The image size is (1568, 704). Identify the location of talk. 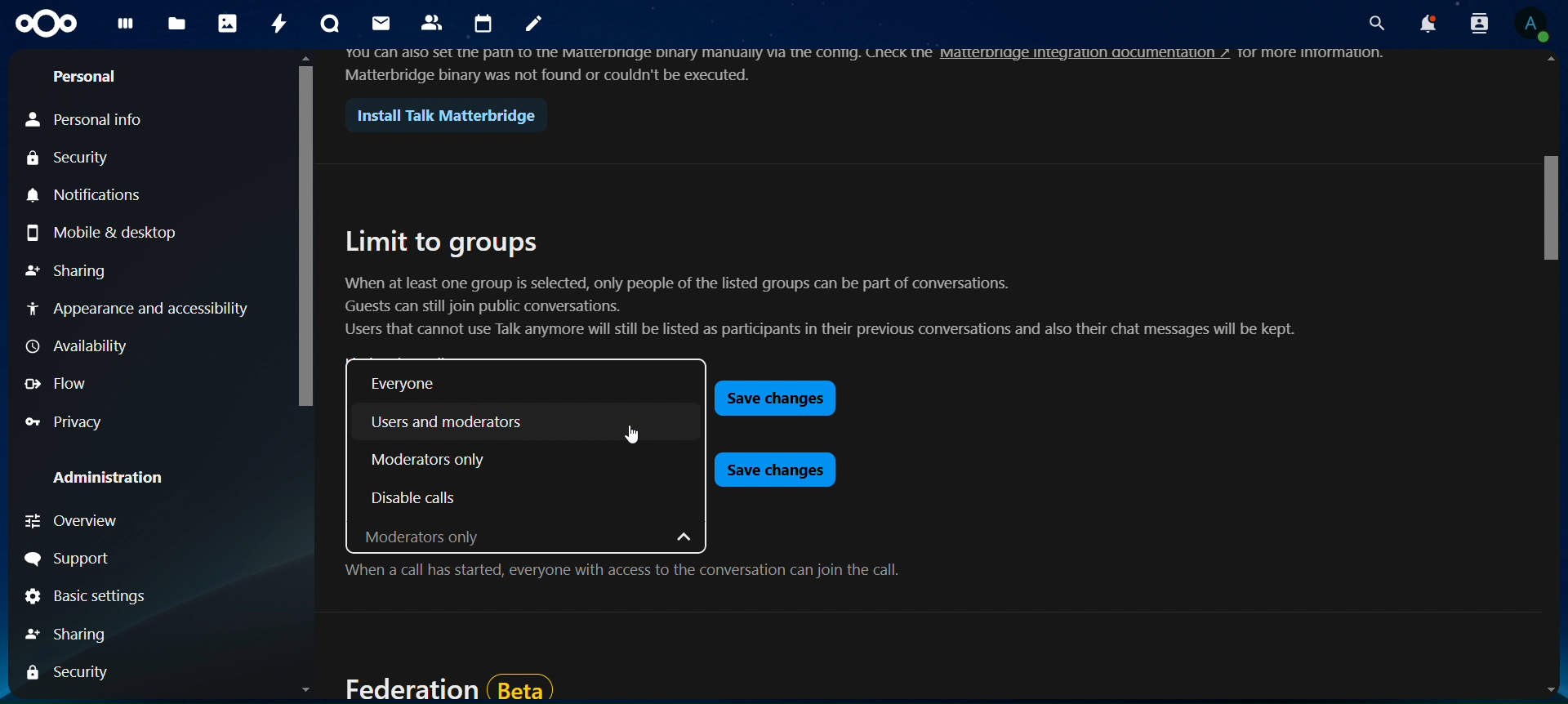
(327, 25).